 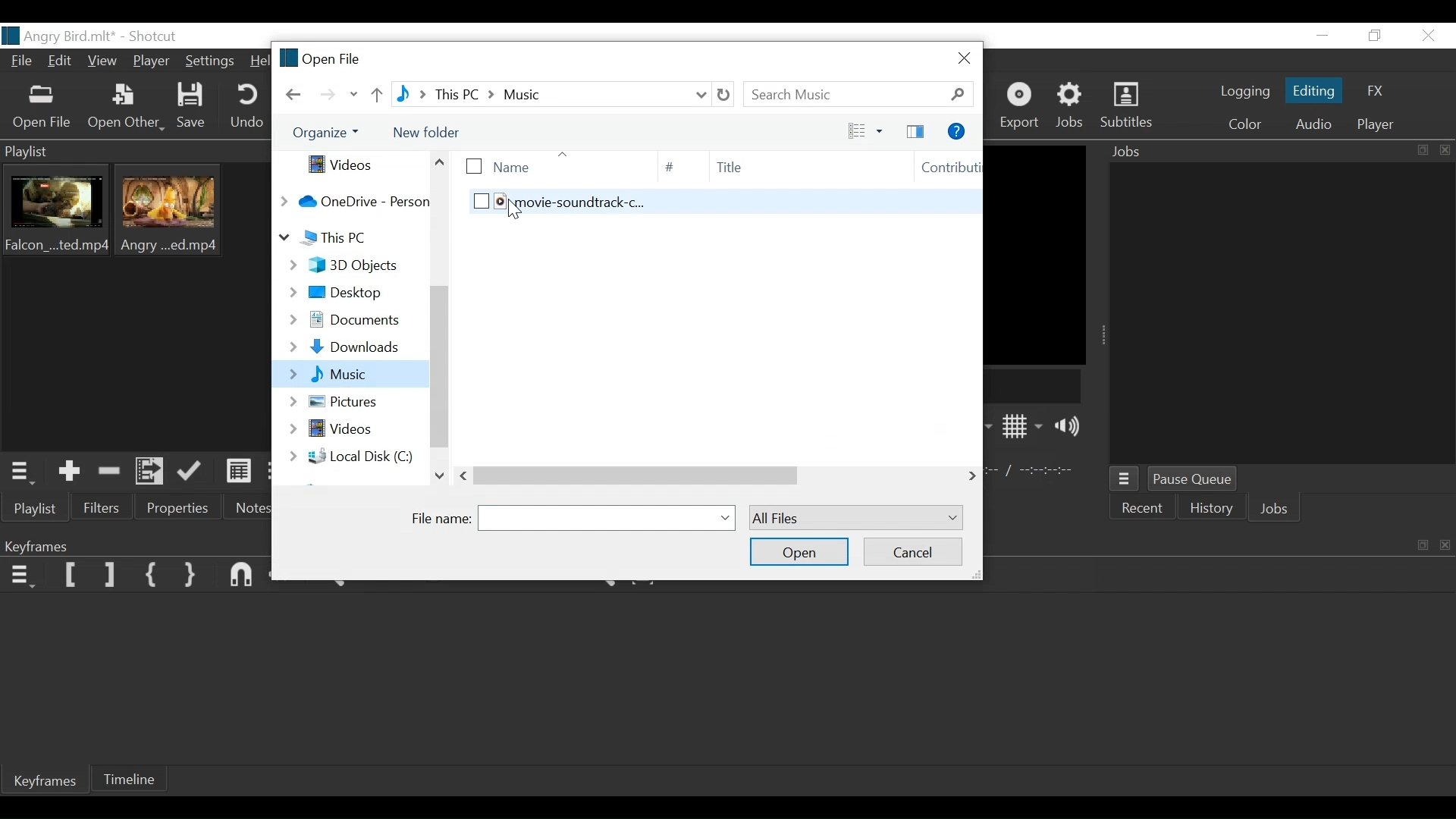 What do you see at coordinates (1378, 36) in the screenshot?
I see `Restore` at bounding box center [1378, 36].